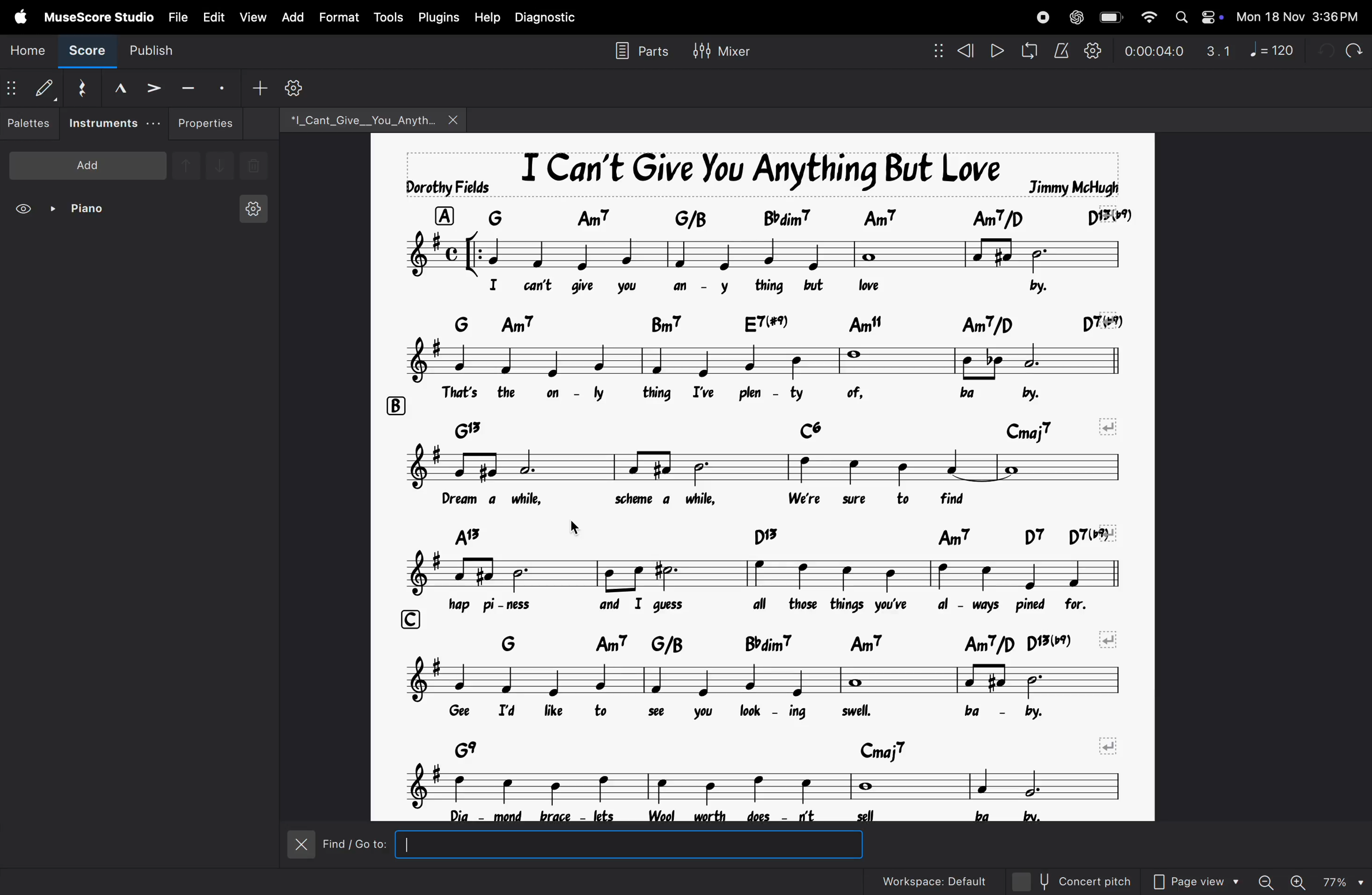  Describe the element at coordinates (252, 17) in the screenshot. I see `view` at that location.